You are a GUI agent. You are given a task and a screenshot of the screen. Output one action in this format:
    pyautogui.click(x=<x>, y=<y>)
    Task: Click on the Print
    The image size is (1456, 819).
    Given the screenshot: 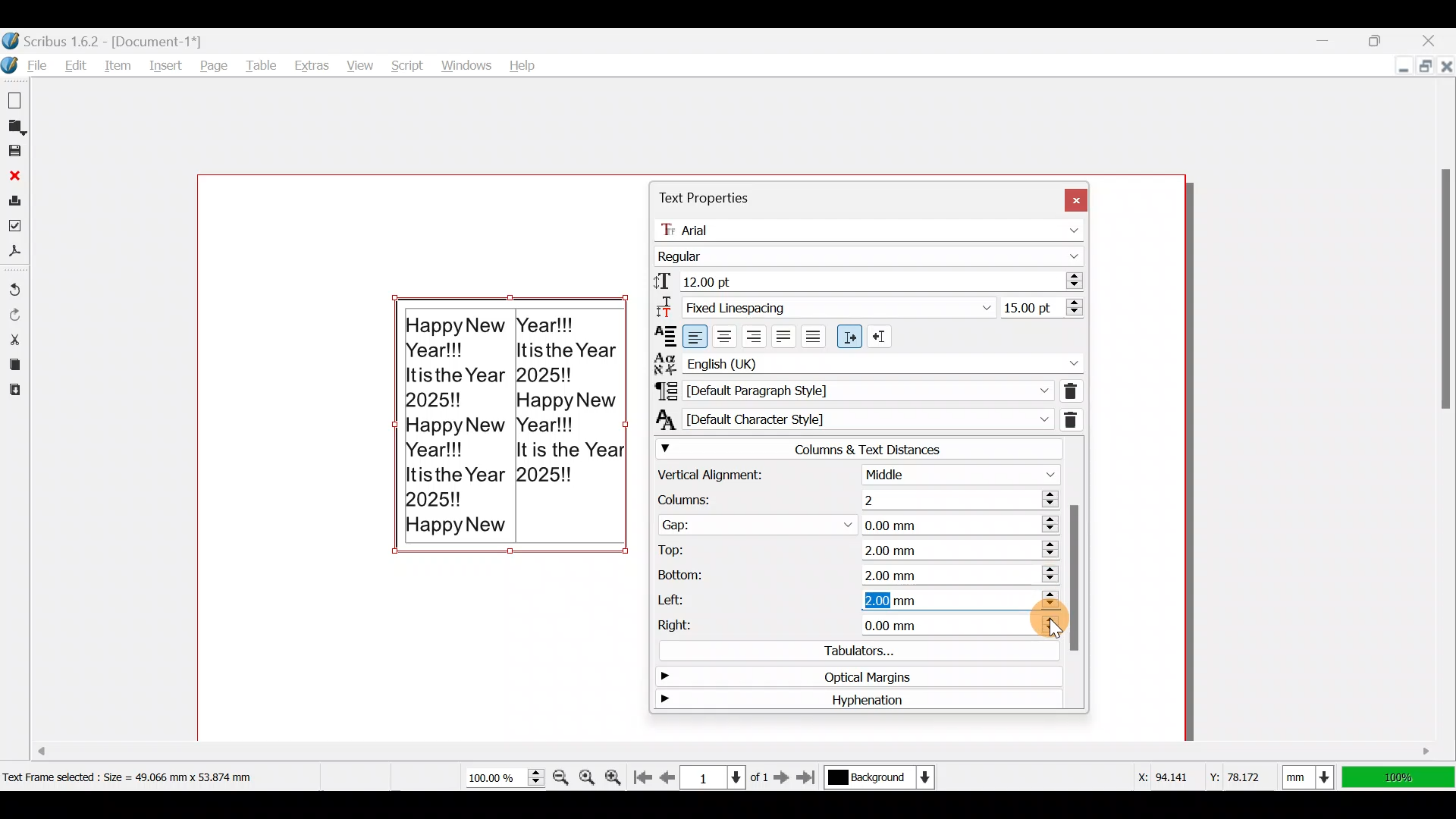 What is the action you would take?
    pyautogui.click(x=15, y=200)
    